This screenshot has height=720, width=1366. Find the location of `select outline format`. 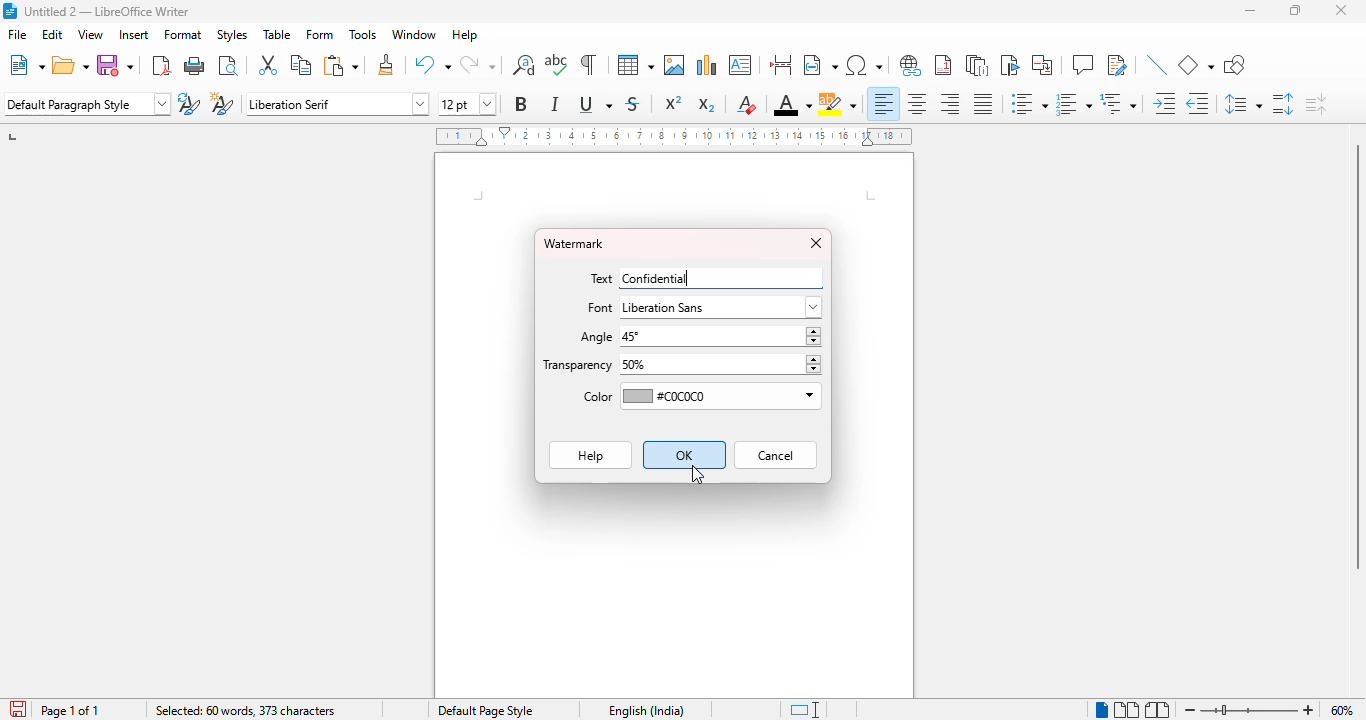

select outline format is located at coordinates (1118, 104).